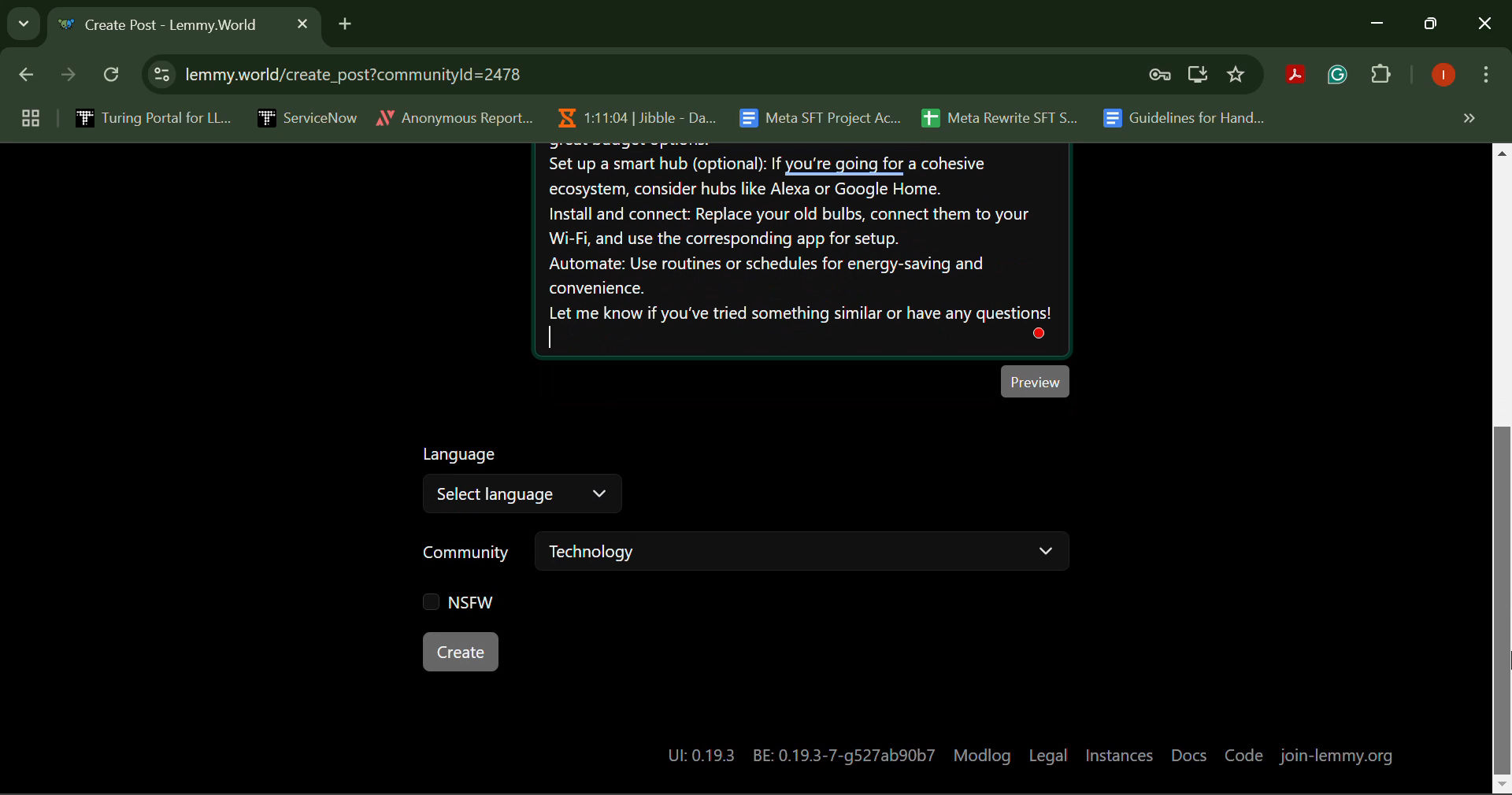 This screenshot has width=1512, height=795. Describe the element at coordinates (803, 249) in the screenshot. I see `Post Body Paragraph` at that location.